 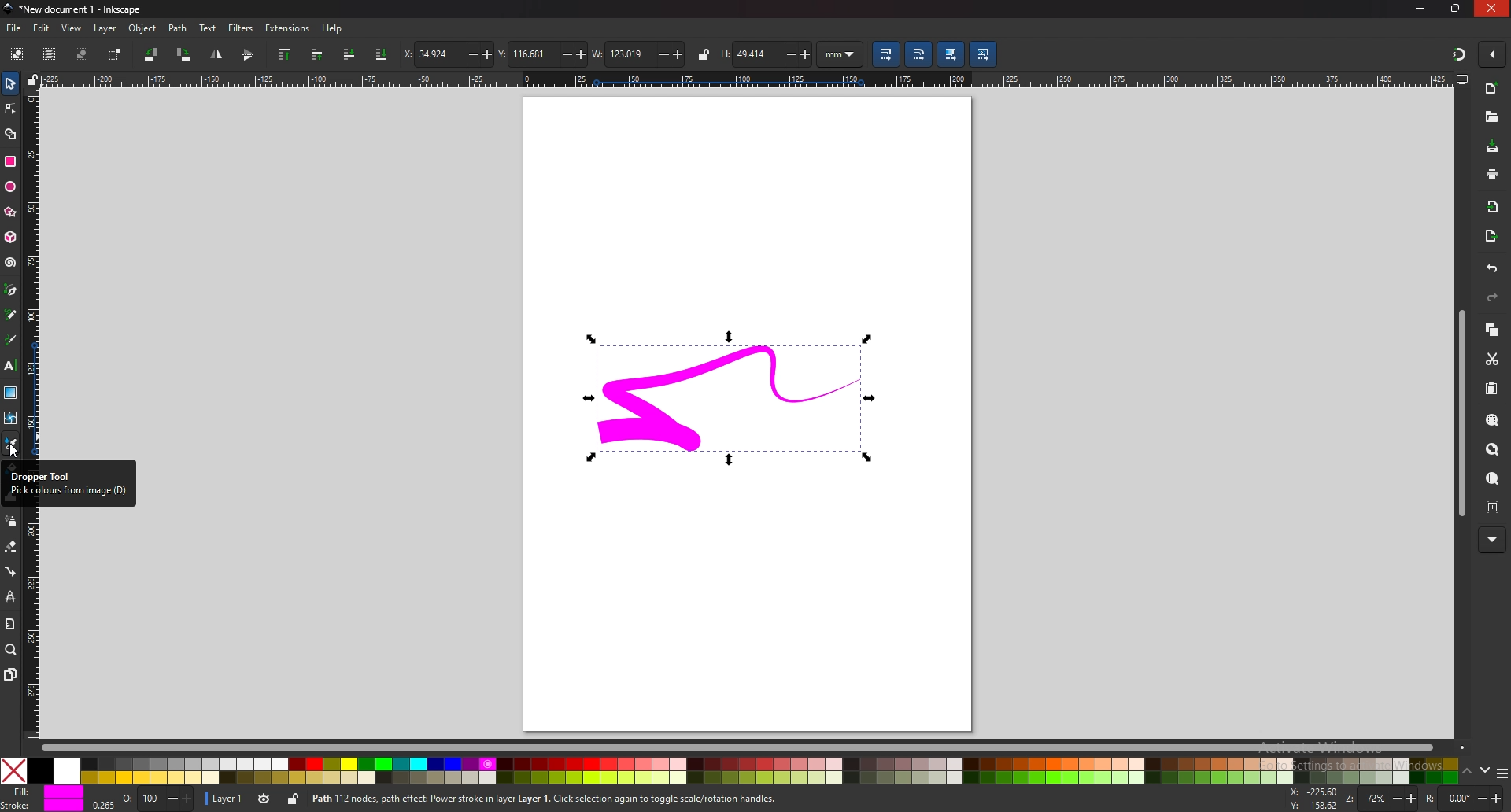 I want to click on pen, so click(x=10, y=289).